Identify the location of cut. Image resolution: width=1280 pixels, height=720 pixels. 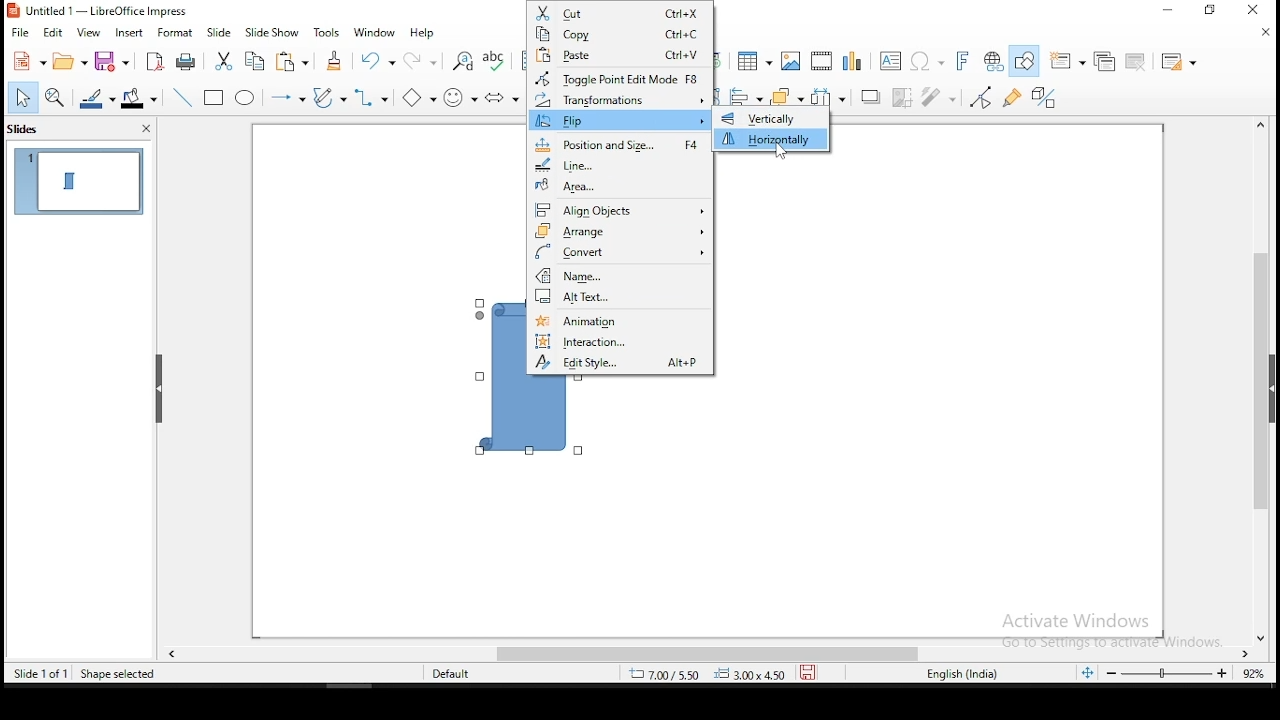
(621, 12).